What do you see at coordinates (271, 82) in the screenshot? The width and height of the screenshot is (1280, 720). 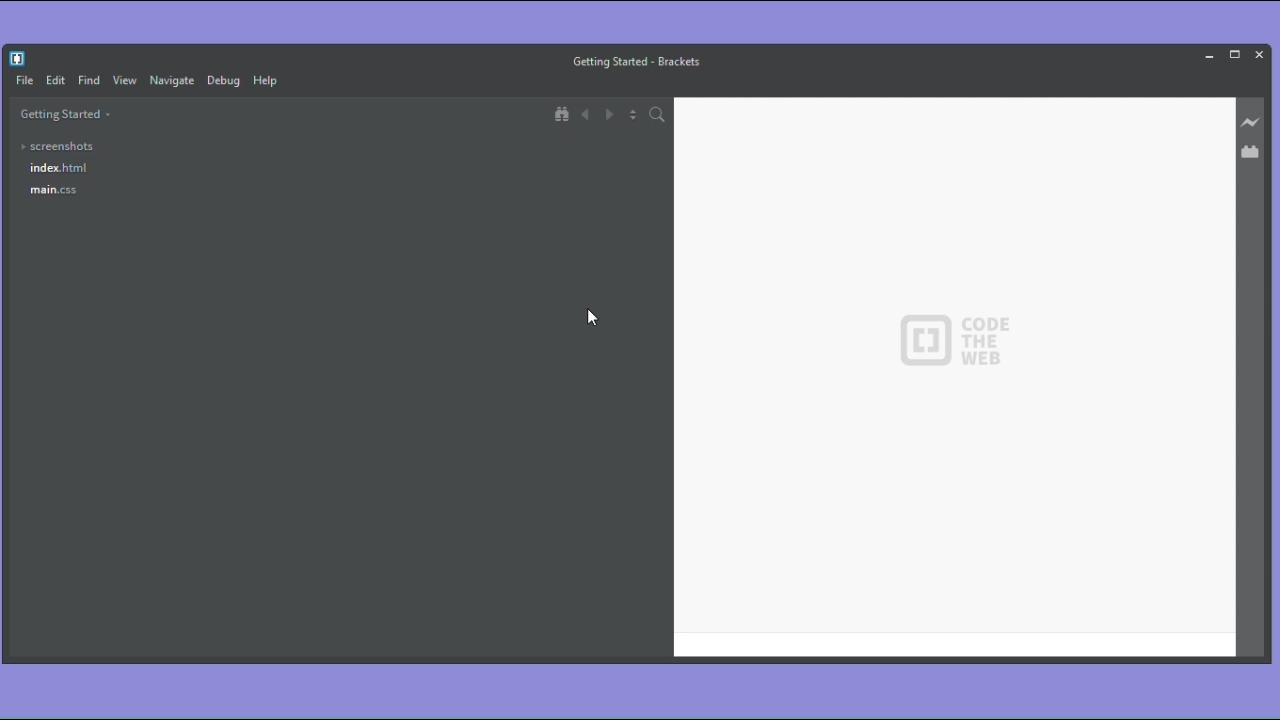 I see `Help` at bounding box center [271, 82].